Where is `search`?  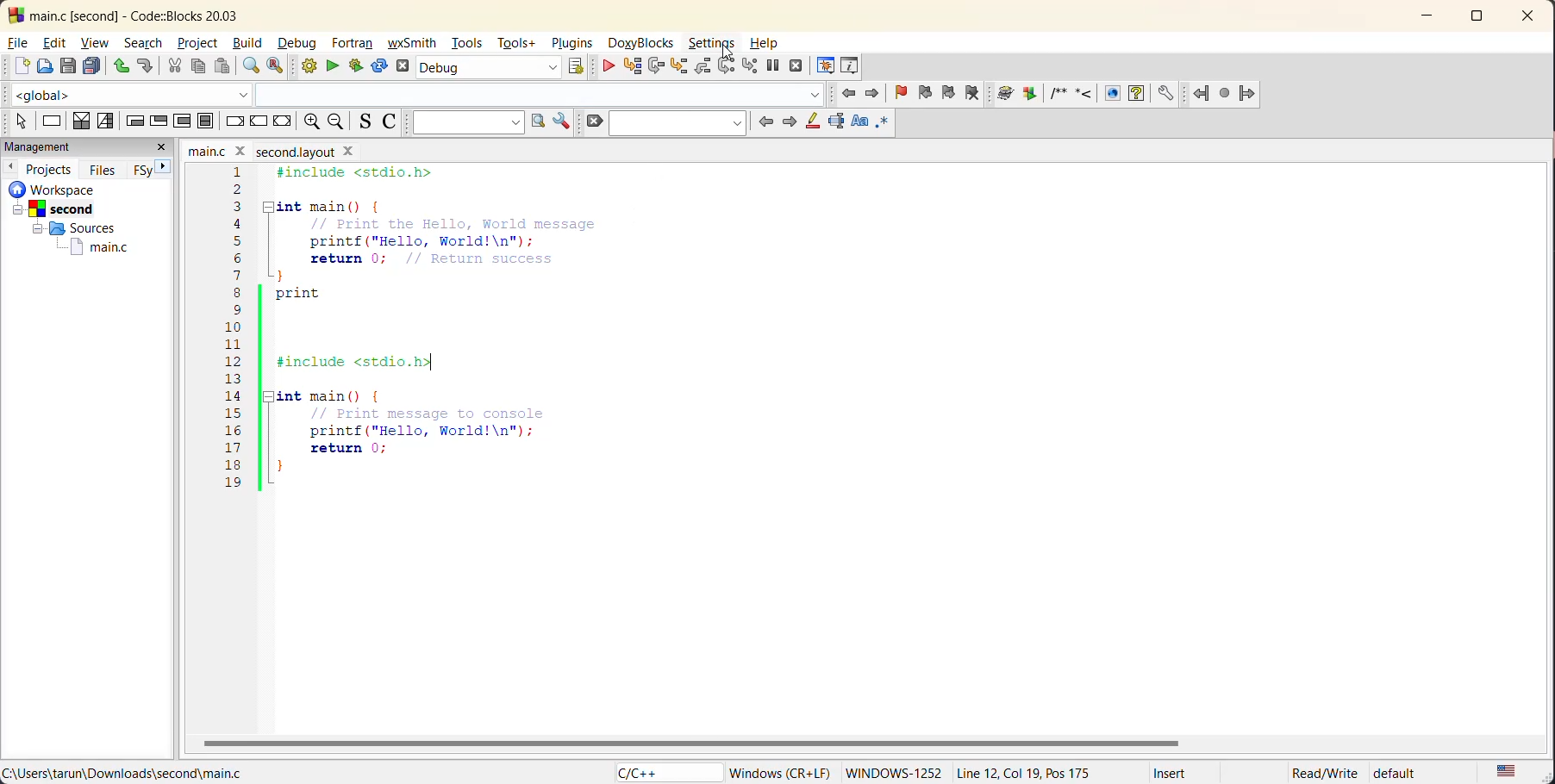 search is located at coordinates (146, 42).